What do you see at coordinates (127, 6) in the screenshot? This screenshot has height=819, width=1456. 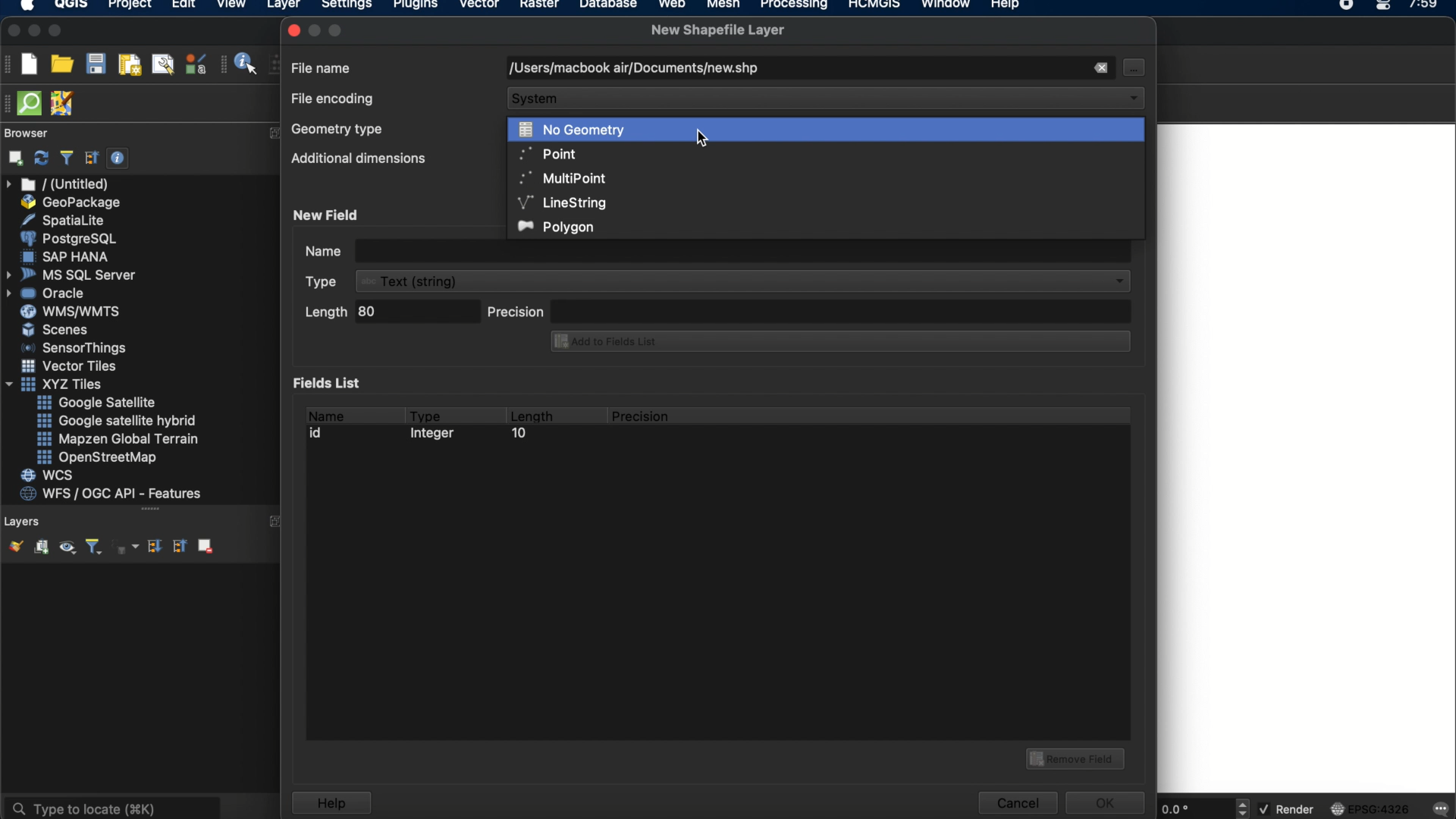 I see `project` at bounding box center [127, 6].